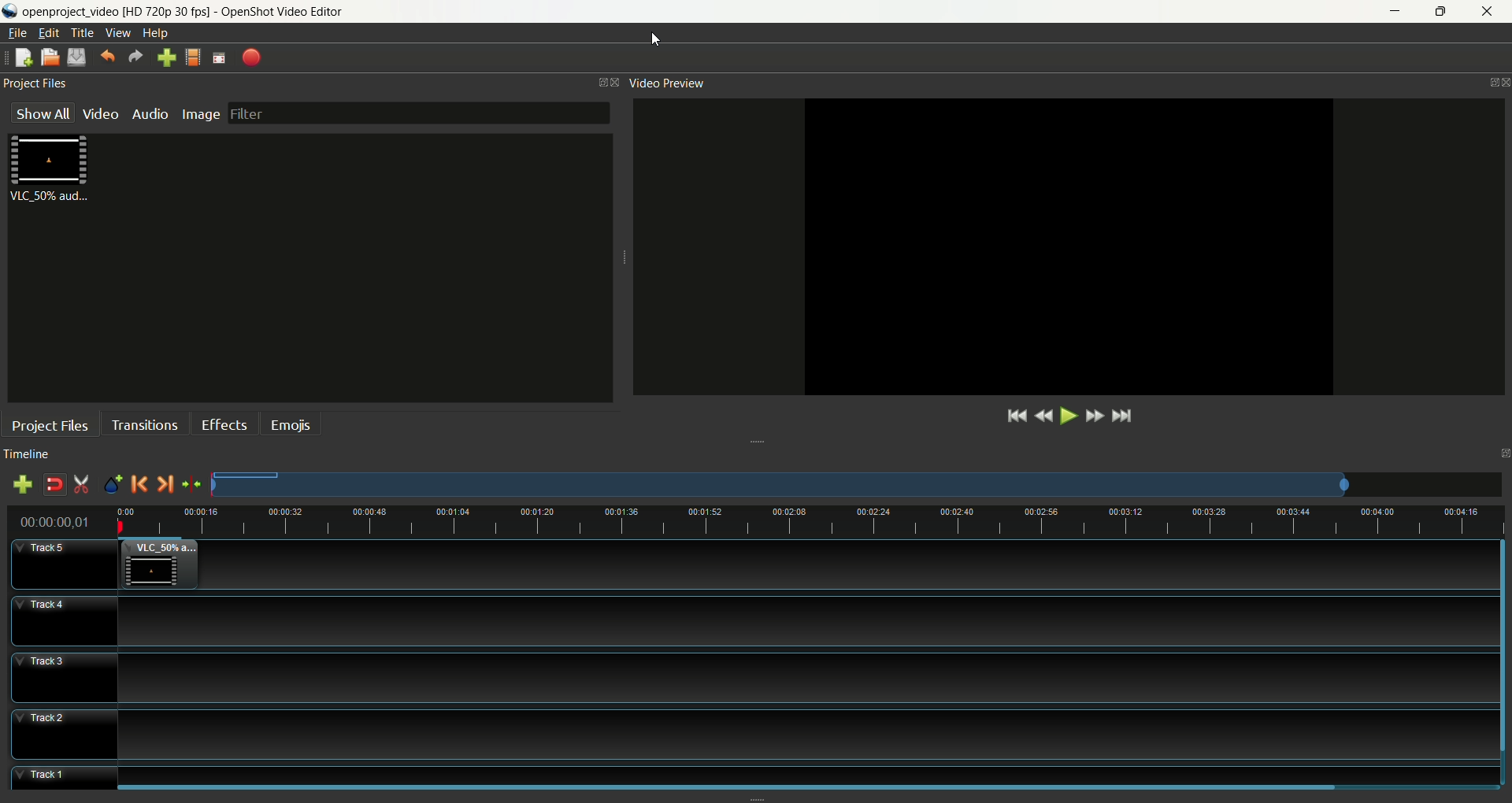  What do you see at coordinates (9, 12) in the screenshot?
I see `logo` at bounding box center [9, 12].